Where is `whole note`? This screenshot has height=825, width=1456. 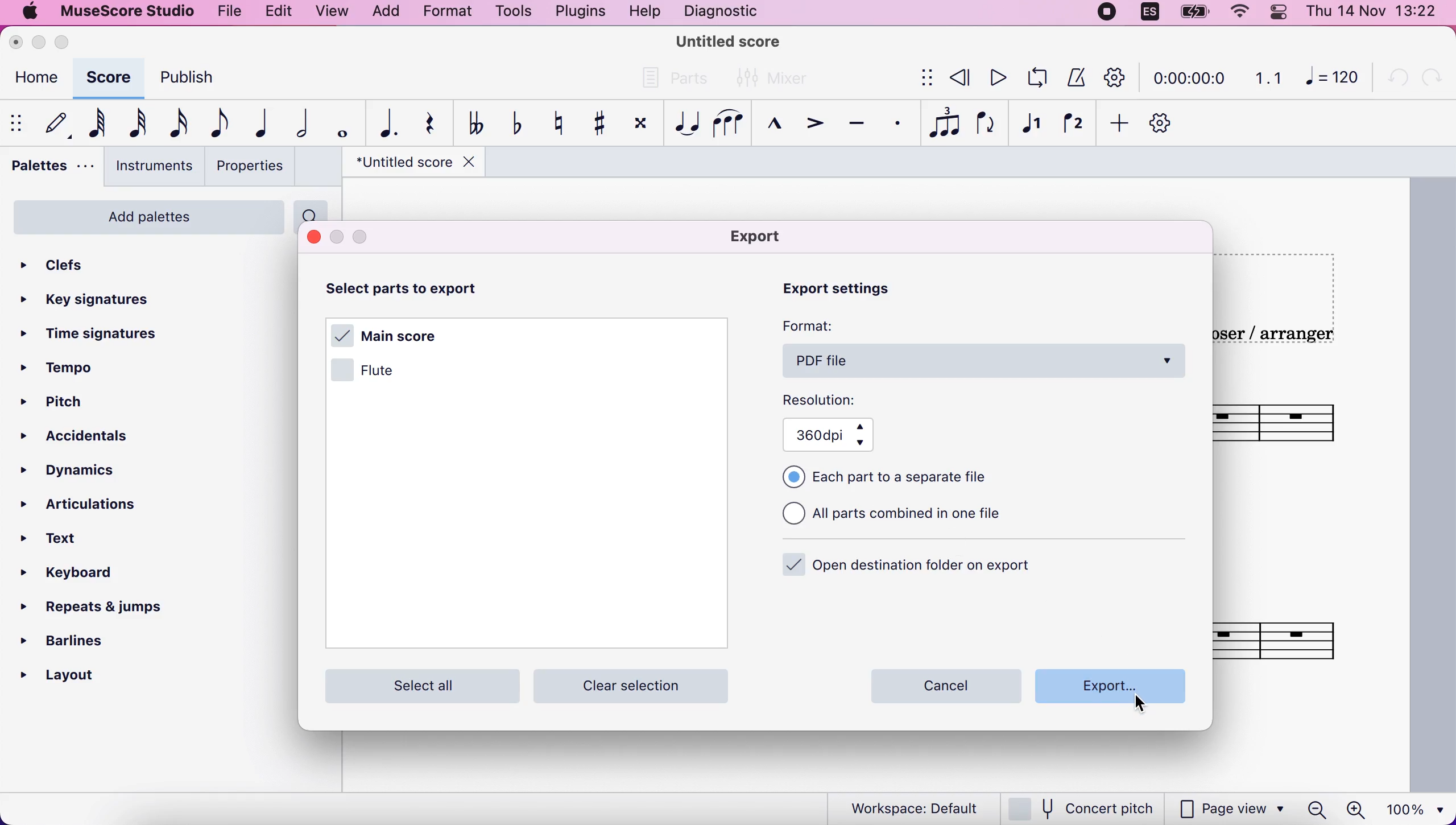 whole note is located at coordinates (340, 122).